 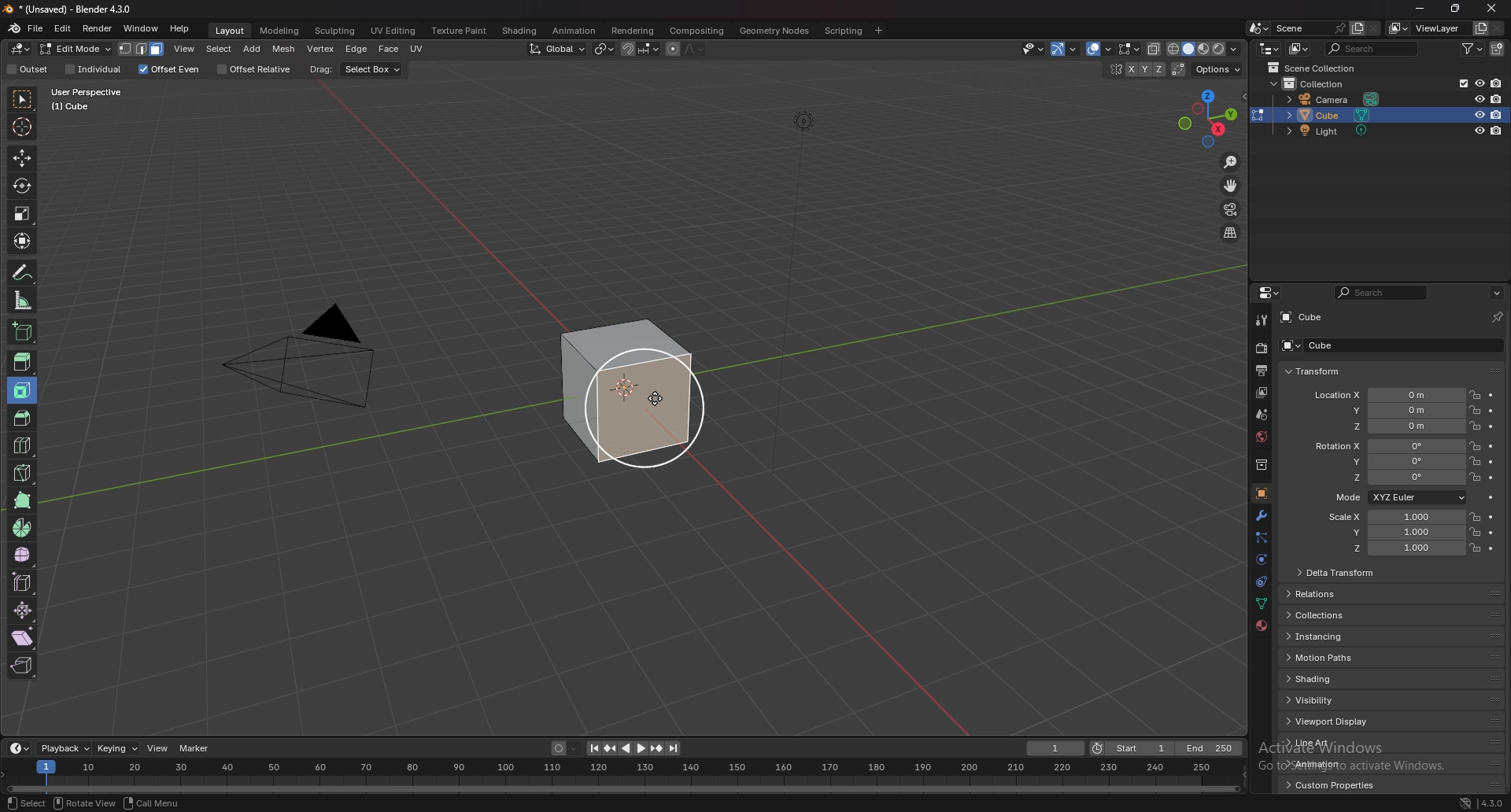 I want to click on shrink, so click(x=24, y=610).